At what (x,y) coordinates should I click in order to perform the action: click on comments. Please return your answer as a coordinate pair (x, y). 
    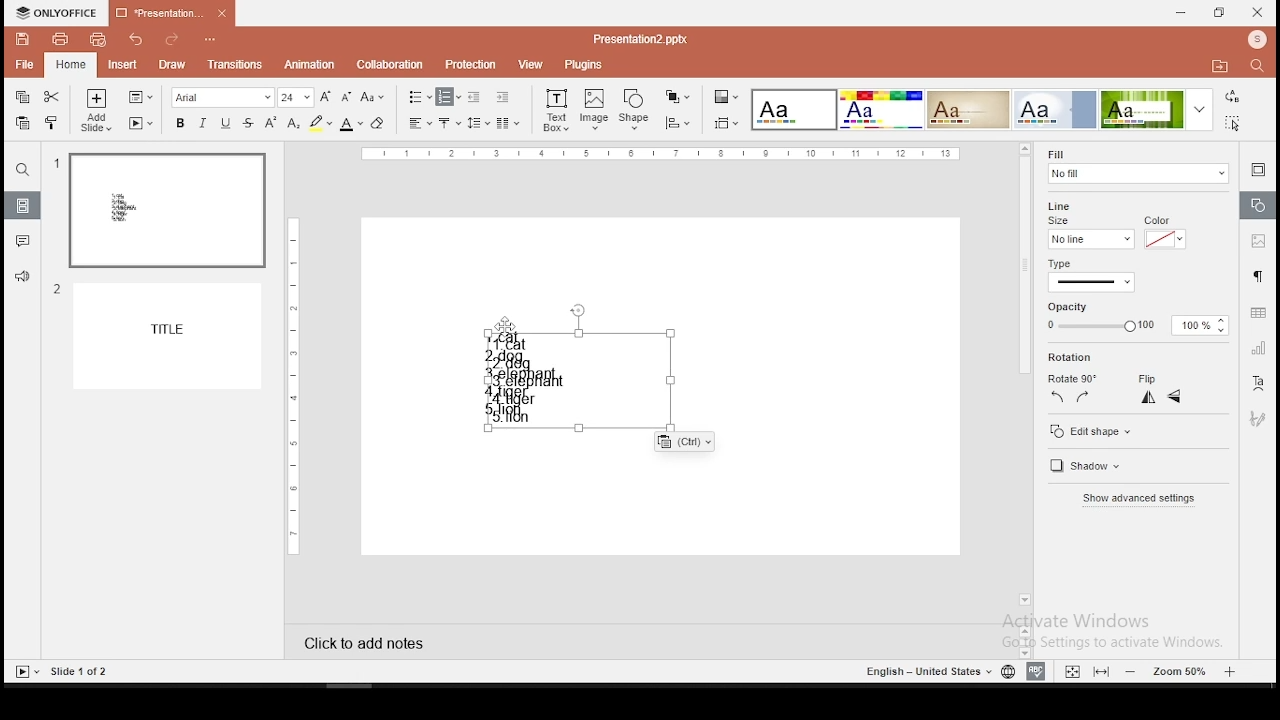
    Looking at the image, I should click on (20, 242).